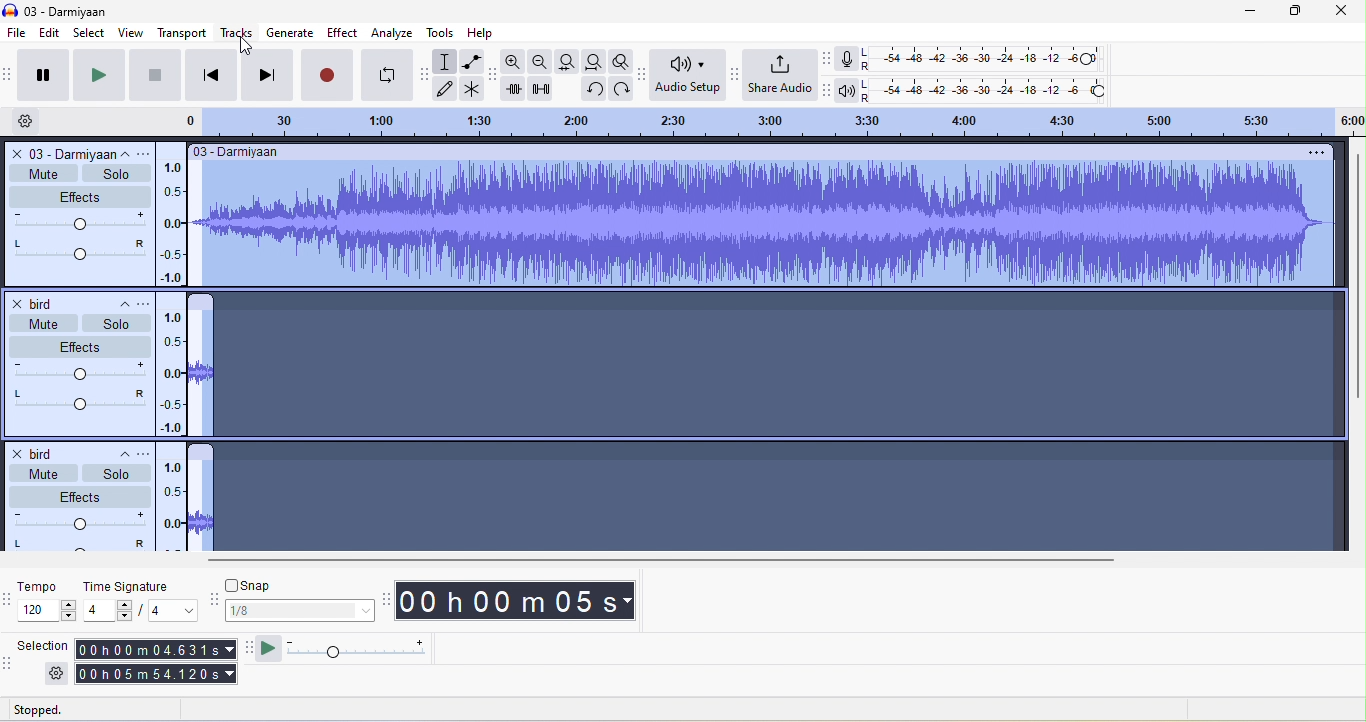 Image resolution: width=1366 pixels, height=722 pixels. I want to click on volume, so click(79, 222).